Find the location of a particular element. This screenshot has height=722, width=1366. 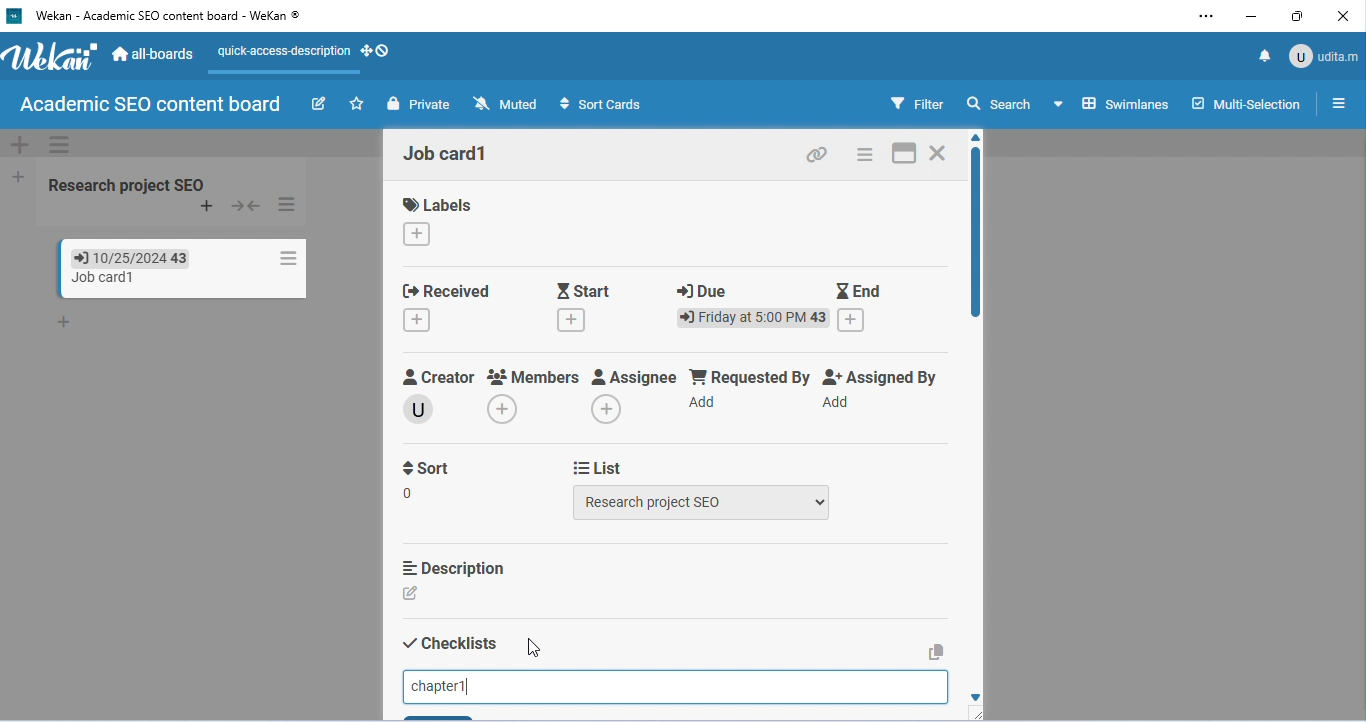

minimize is located at coordinates (1249, 18).